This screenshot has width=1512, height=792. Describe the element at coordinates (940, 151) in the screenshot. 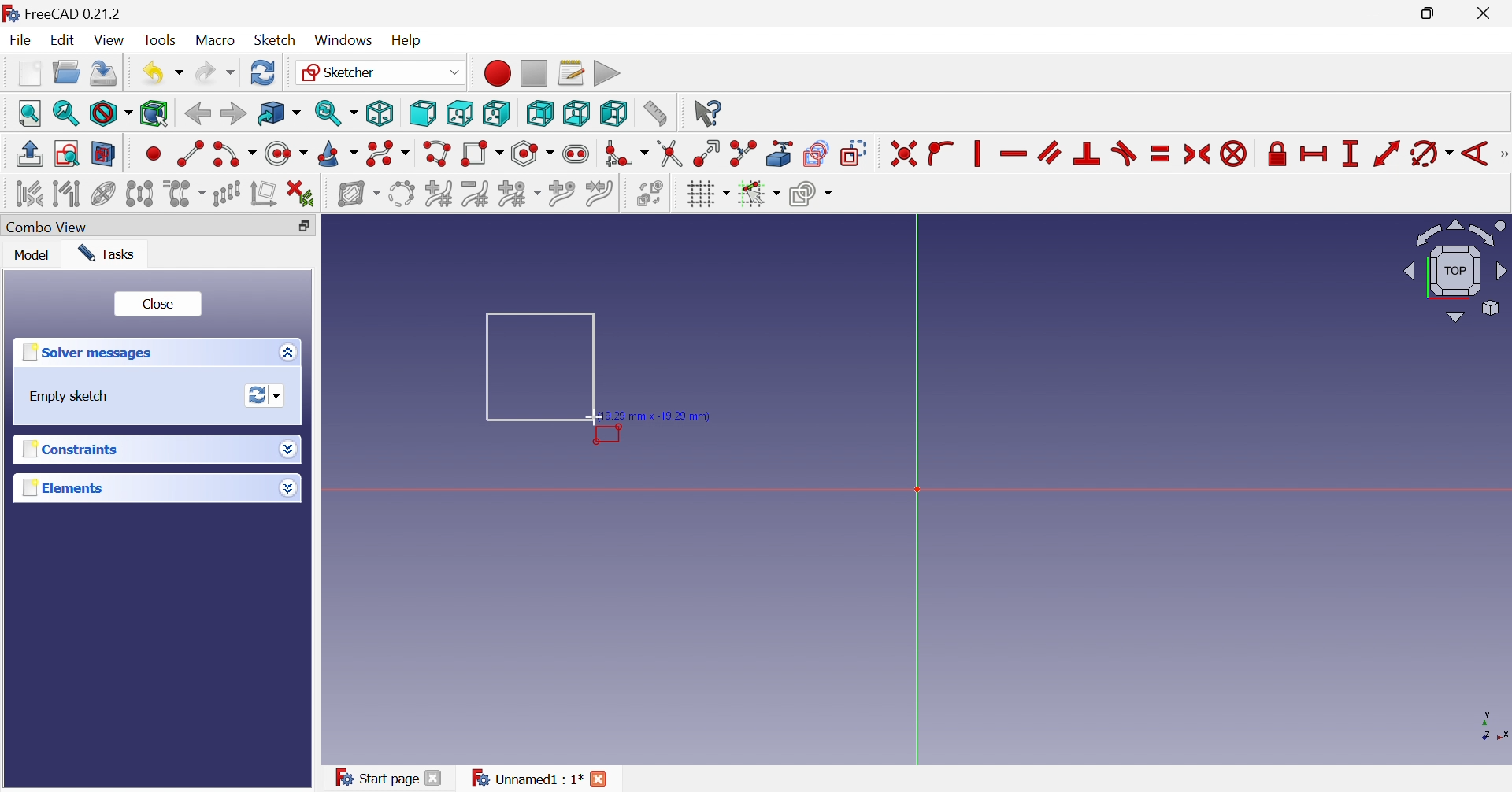

I see `Constrain point onto object` at that location.